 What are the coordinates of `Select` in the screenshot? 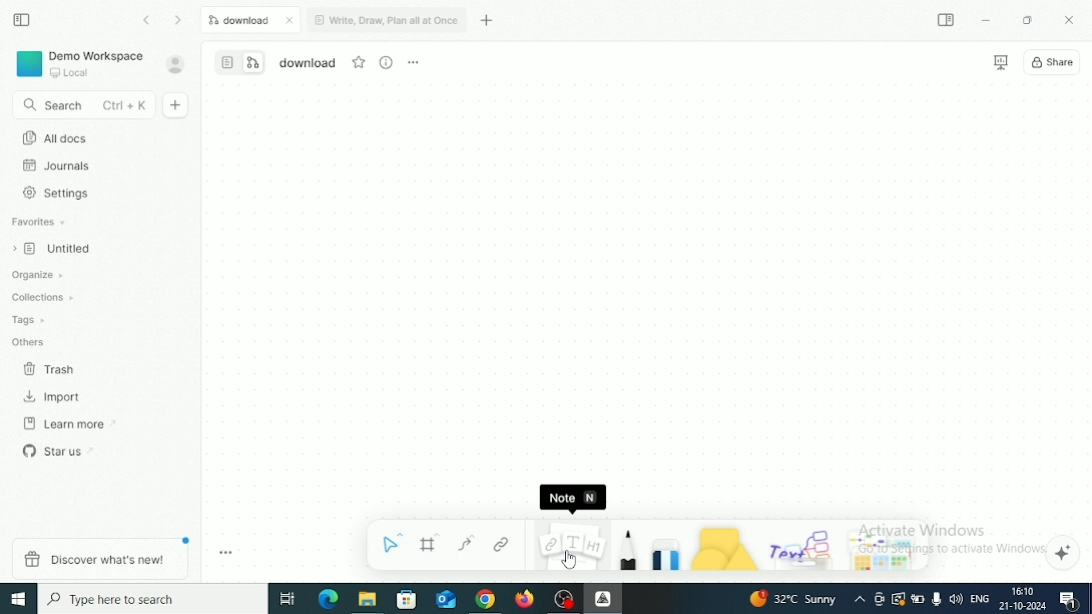 It's located at (390, 543).